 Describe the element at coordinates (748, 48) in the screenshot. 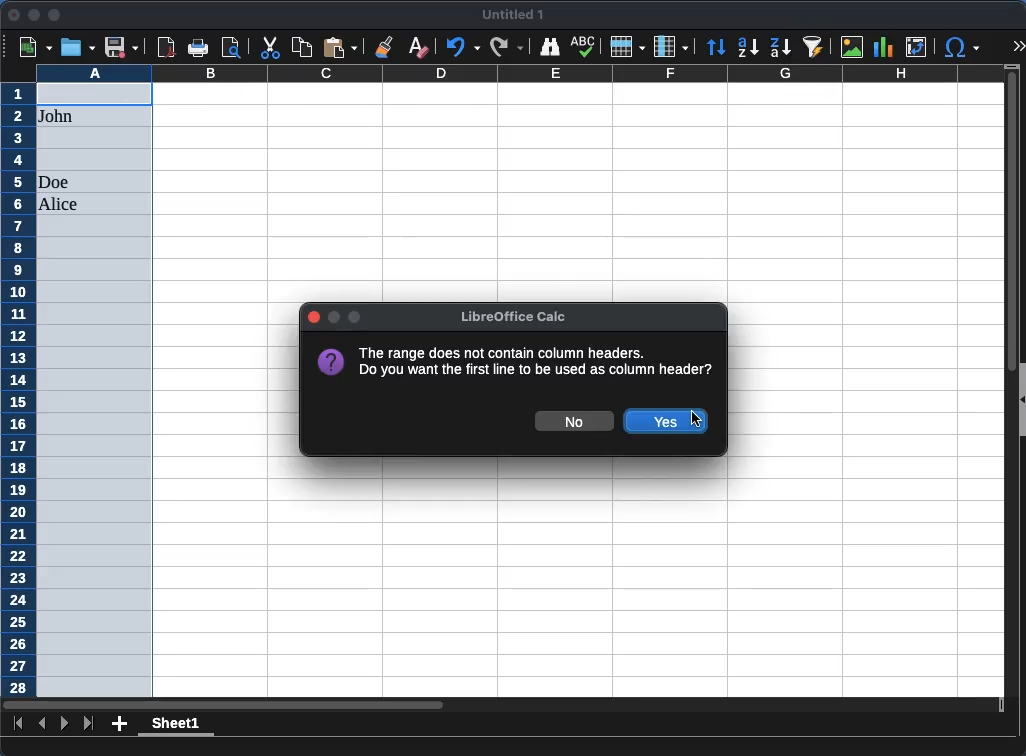

I see `ascending` at that location.